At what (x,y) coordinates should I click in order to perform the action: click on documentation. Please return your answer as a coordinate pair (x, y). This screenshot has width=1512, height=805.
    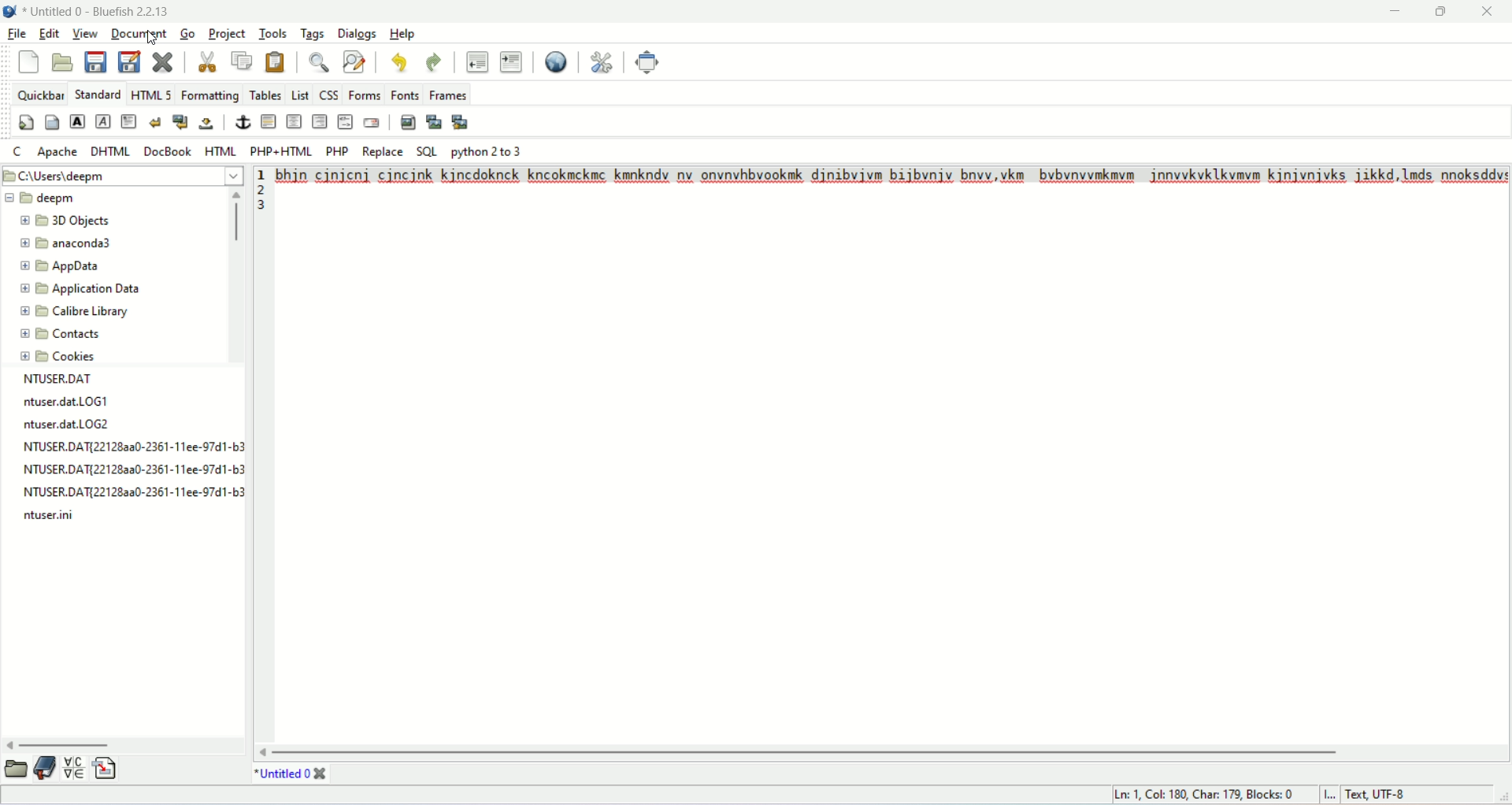
    Looking at the image, I should click on (44, 765).